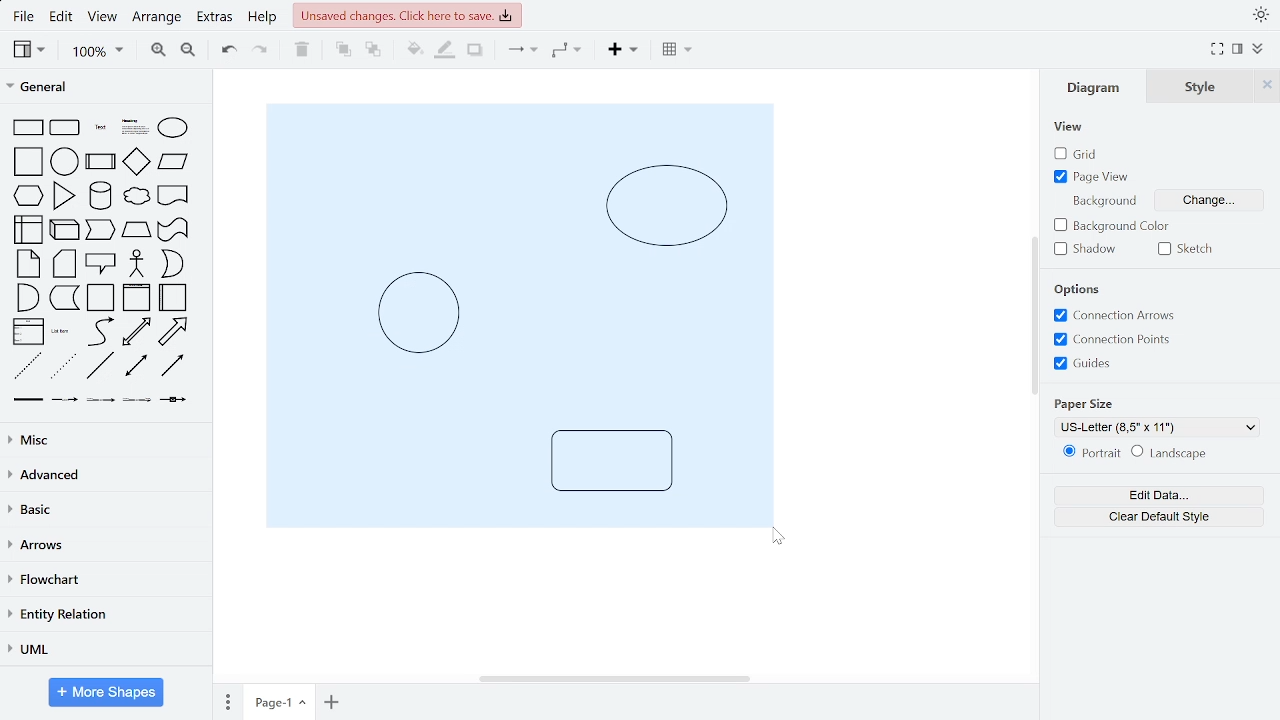  What do you see at coordinates (614, 677) in the screenshot?
I see `horizontal scrollbar` at bounding box center [614, 677].